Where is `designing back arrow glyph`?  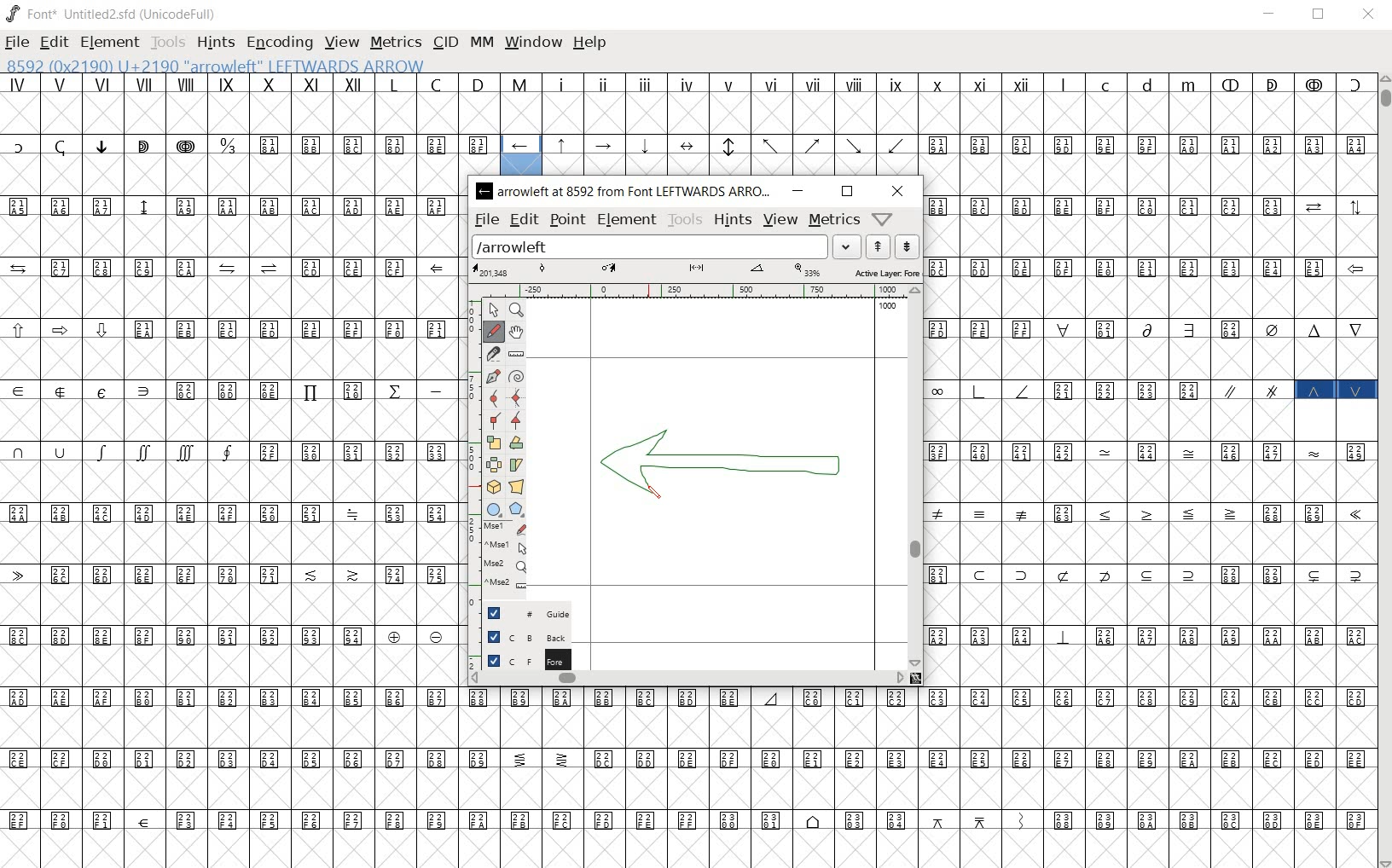 designing back arrow glyph is located at coordinates (723, 466).